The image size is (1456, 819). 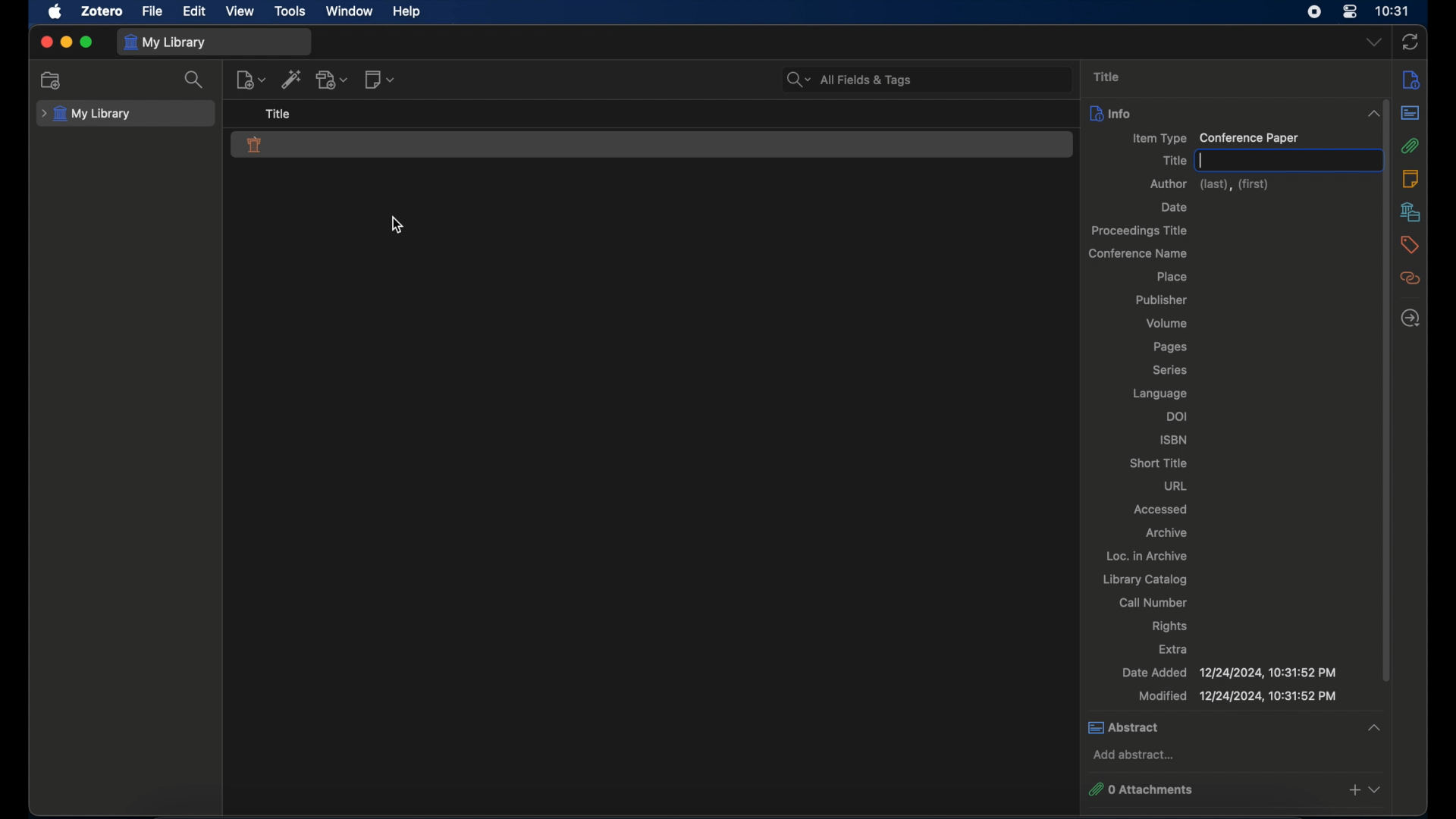 What do you see at coordinates (1215, 139) in the screenshot?
I see `item type` at bounding box center [1215, 139].